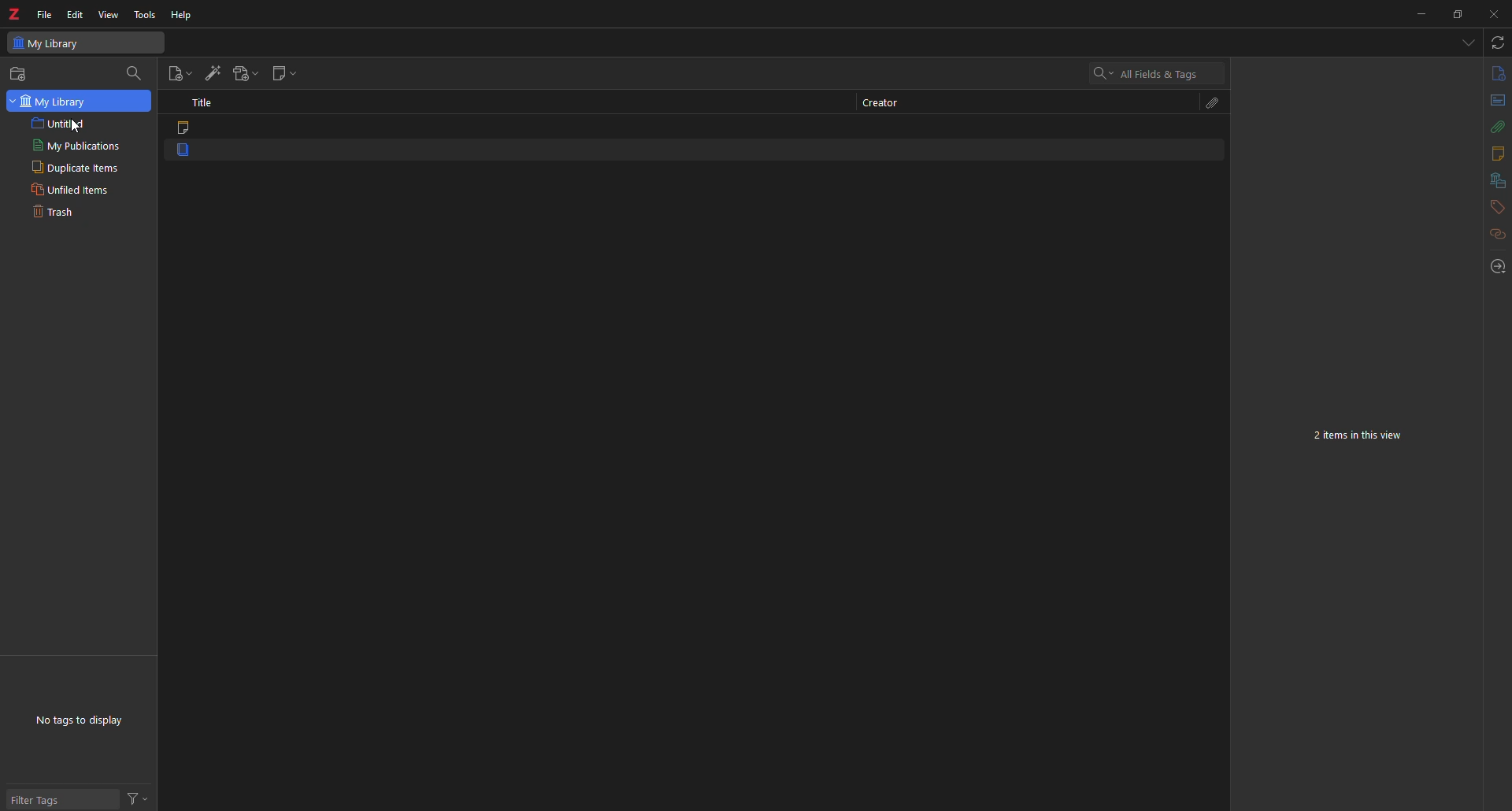 The height and width of the screenshot is (811, 1512). Describe the element at coordinates (885, 102) in the screenshot. I see `creator` at that location.